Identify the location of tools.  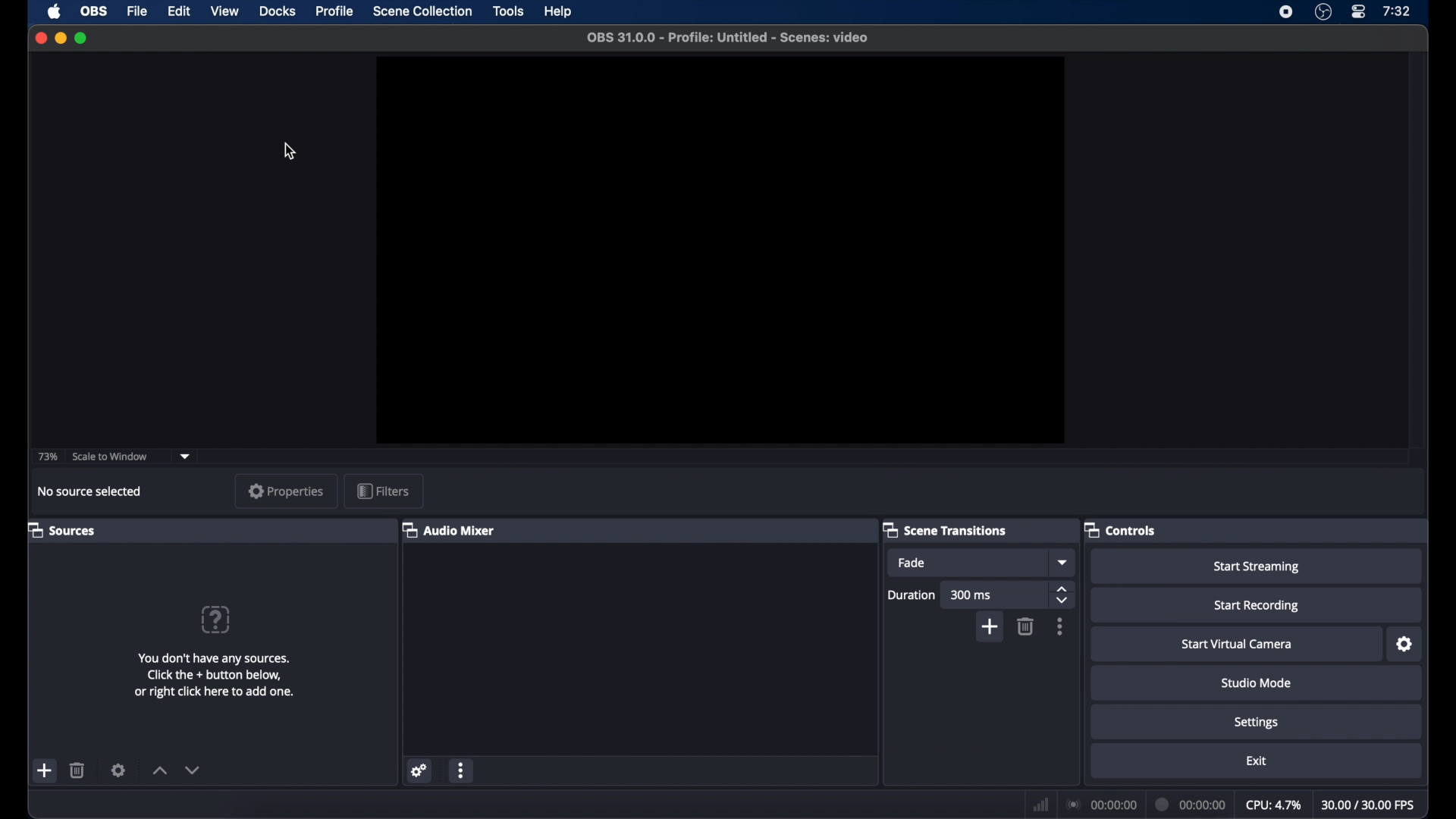
(509, 11).